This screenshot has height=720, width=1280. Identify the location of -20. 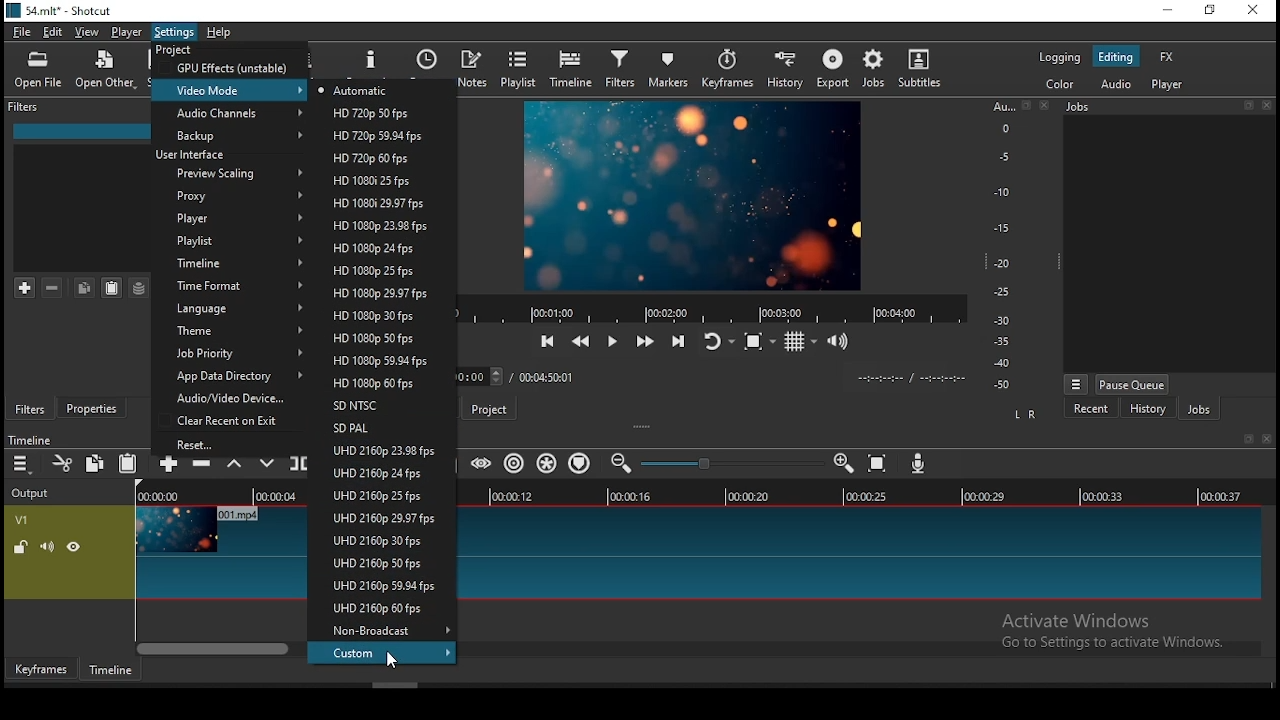
(1002, 263).